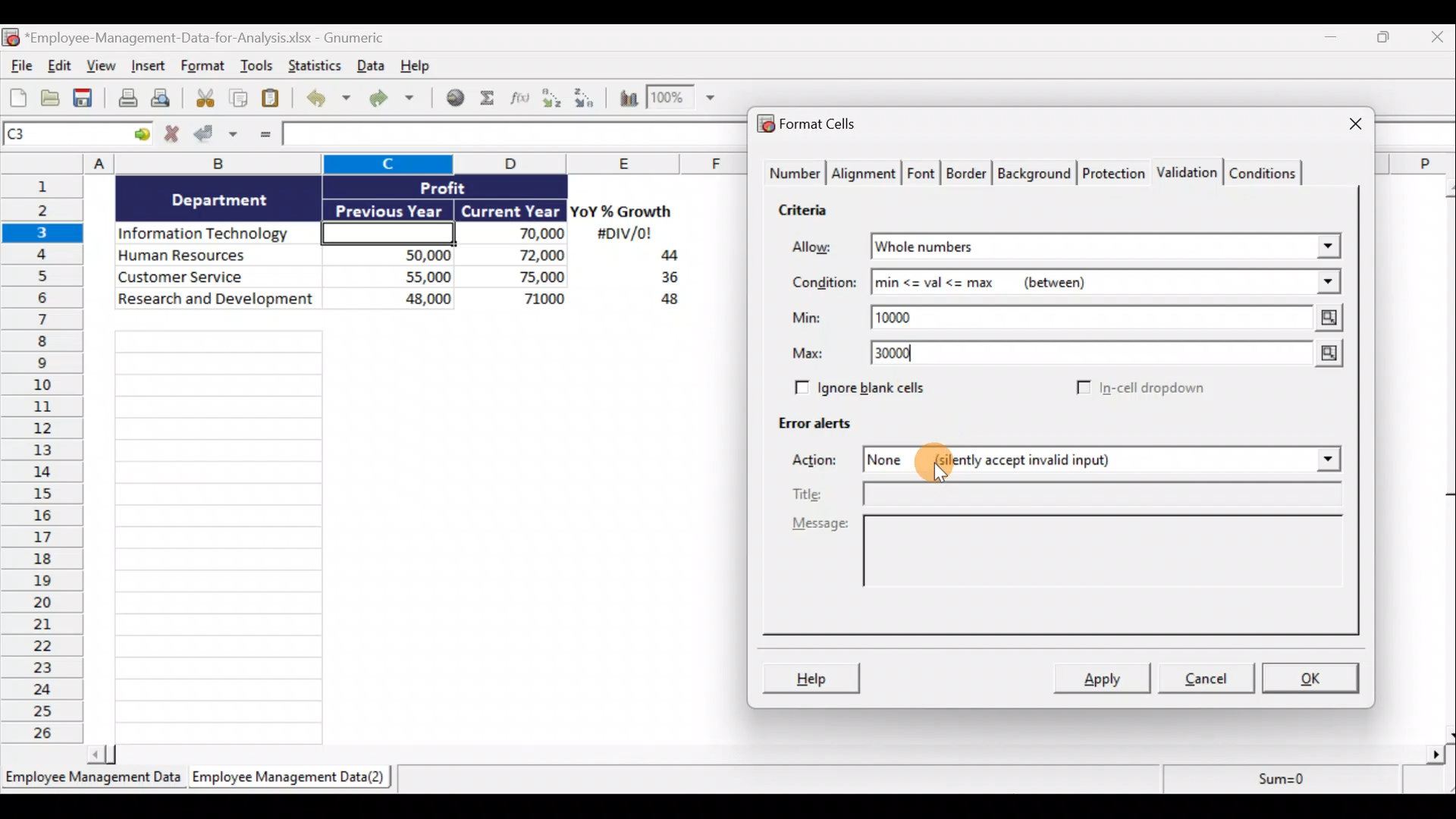  I want to click on Validation, so click(1189, 171).